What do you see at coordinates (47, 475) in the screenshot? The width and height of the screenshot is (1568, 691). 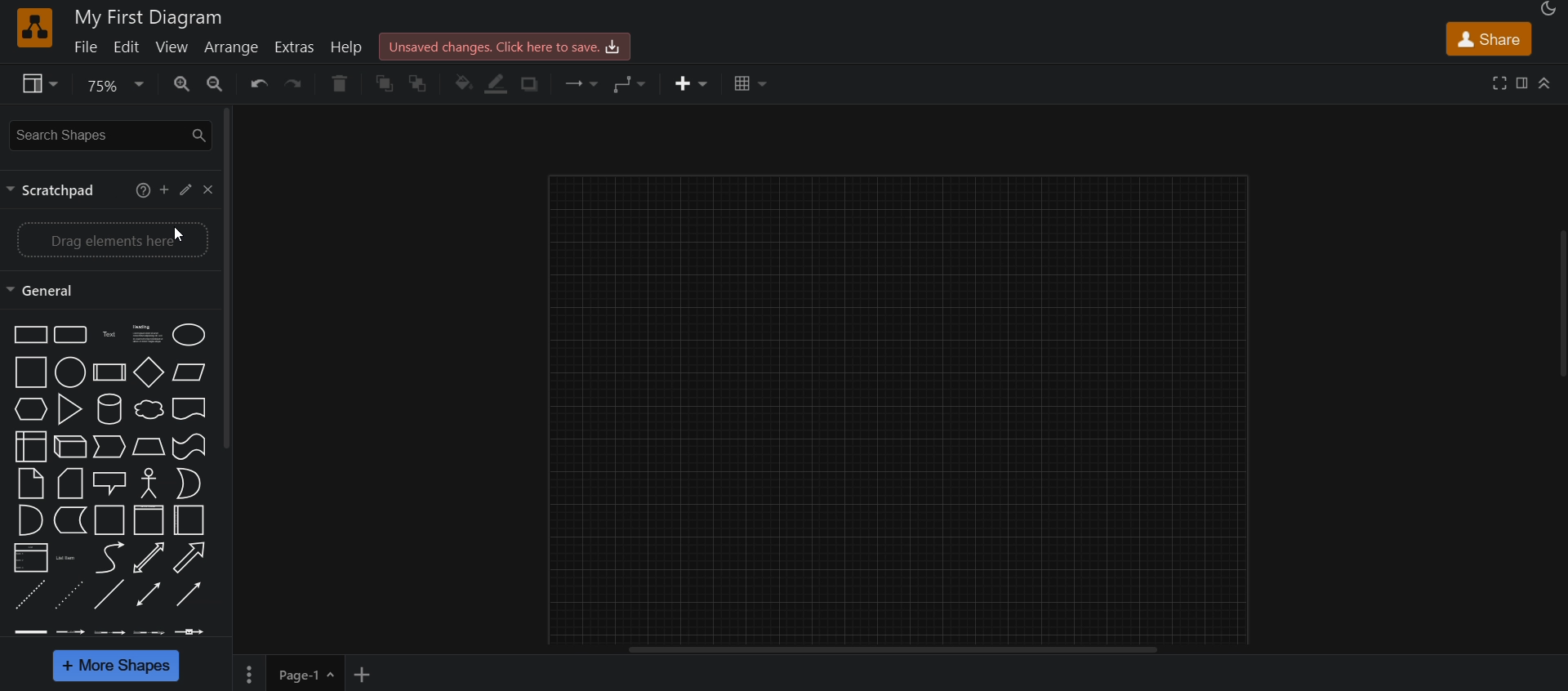 I see `shapes` at bounding box center [47, 475].